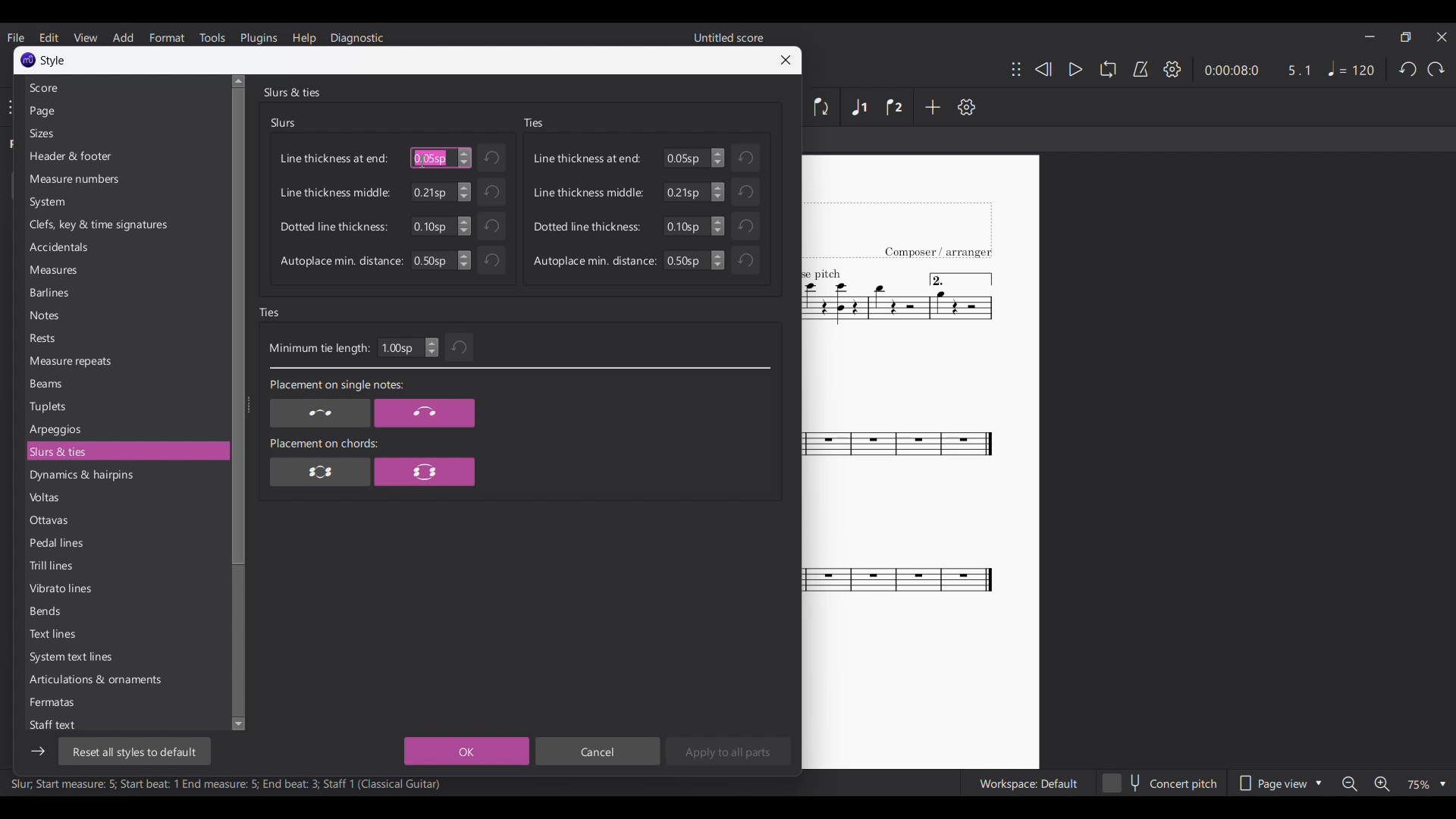  Describe the element at coordinates (356, 39) in the screenshot. I see `Diagnostic menu` at that location.